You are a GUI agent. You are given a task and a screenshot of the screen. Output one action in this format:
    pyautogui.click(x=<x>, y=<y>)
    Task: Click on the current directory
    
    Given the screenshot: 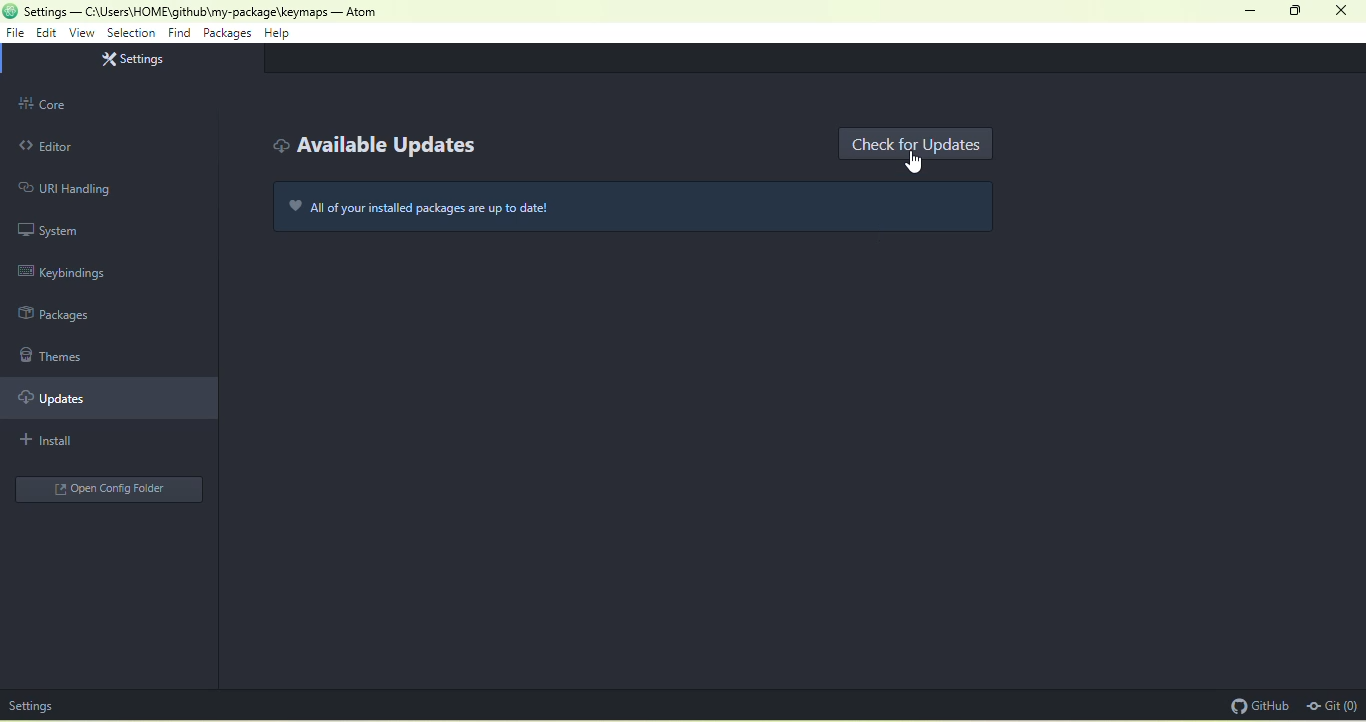 What is the action you would take?
    pyautogui.click(x=175, y=11)
    